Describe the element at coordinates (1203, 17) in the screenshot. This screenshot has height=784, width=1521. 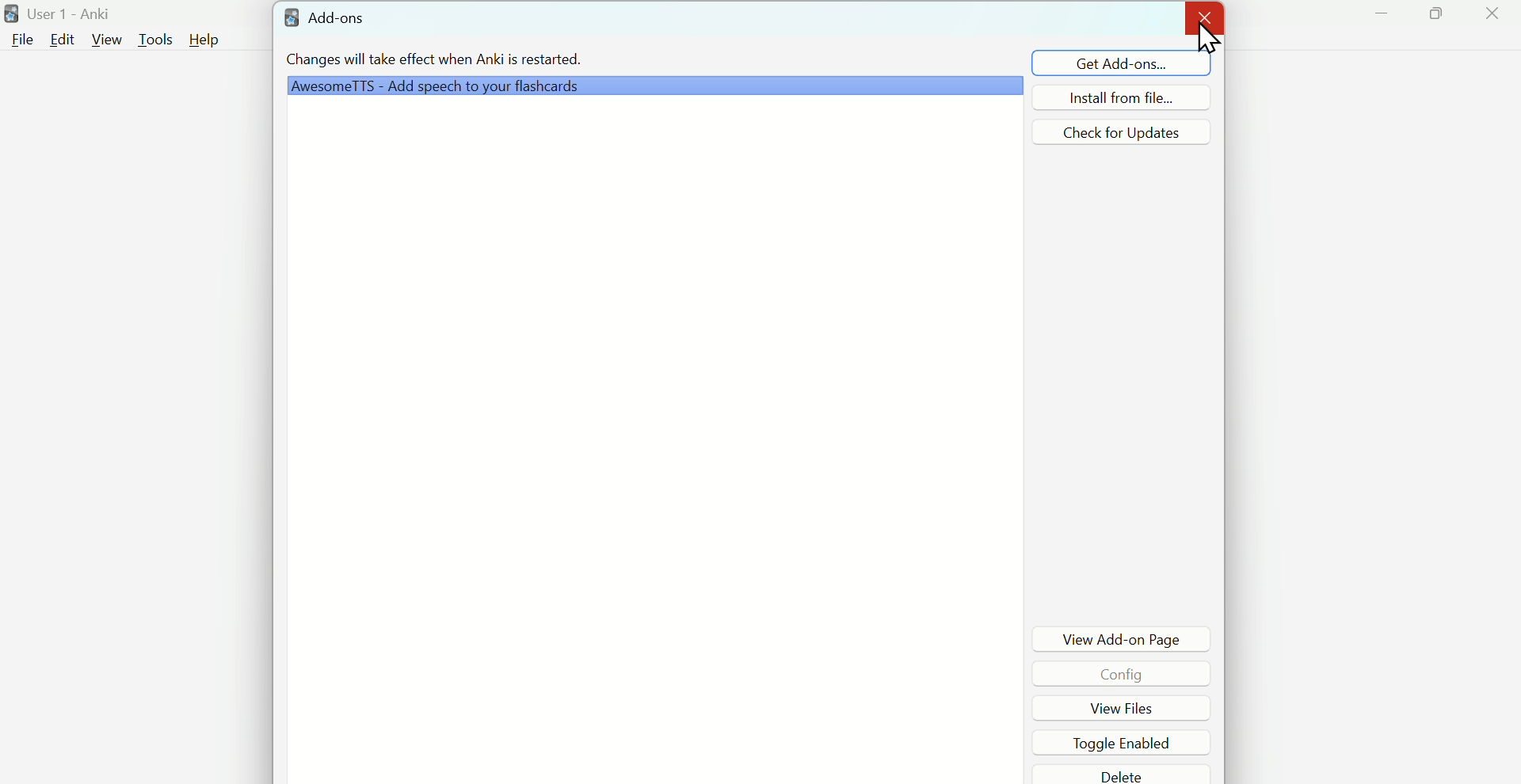
I see `Close` at that location.